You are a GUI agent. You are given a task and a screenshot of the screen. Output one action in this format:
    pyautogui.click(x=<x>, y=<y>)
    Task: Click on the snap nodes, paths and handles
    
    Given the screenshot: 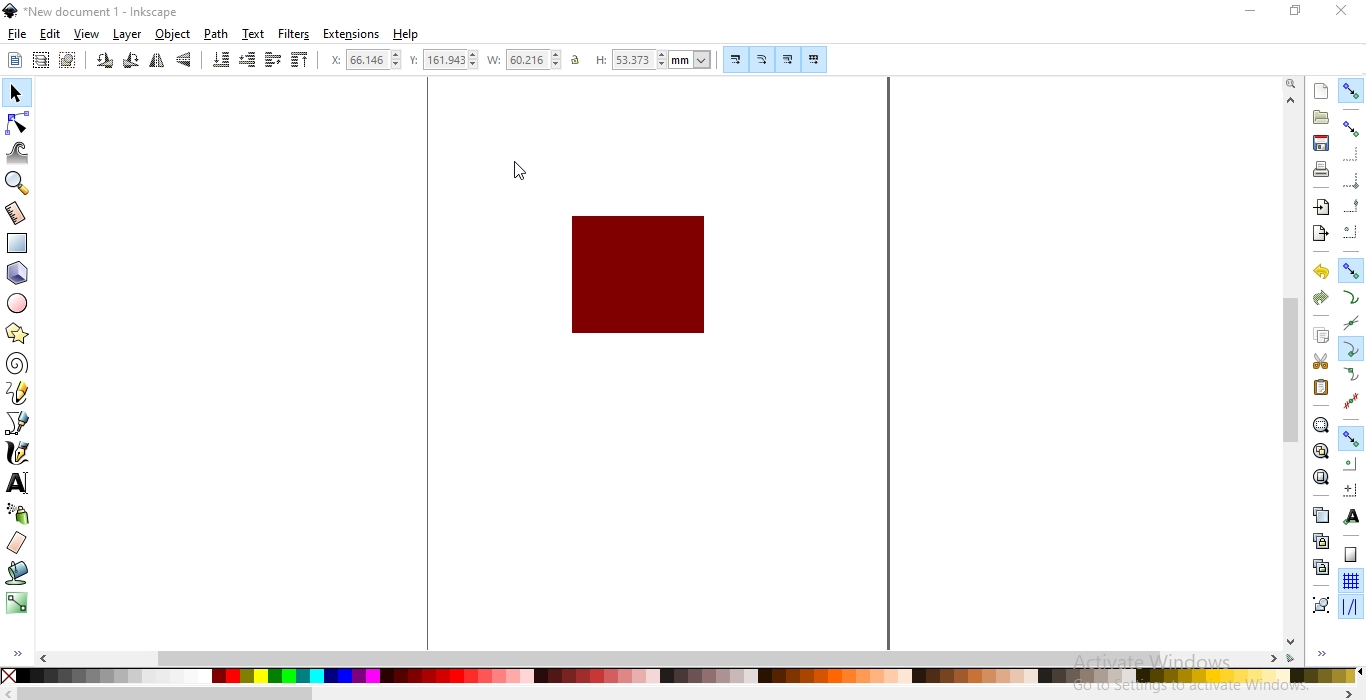 What is the action you would take?
    pyautogui.click(x=1350, y=439)
    